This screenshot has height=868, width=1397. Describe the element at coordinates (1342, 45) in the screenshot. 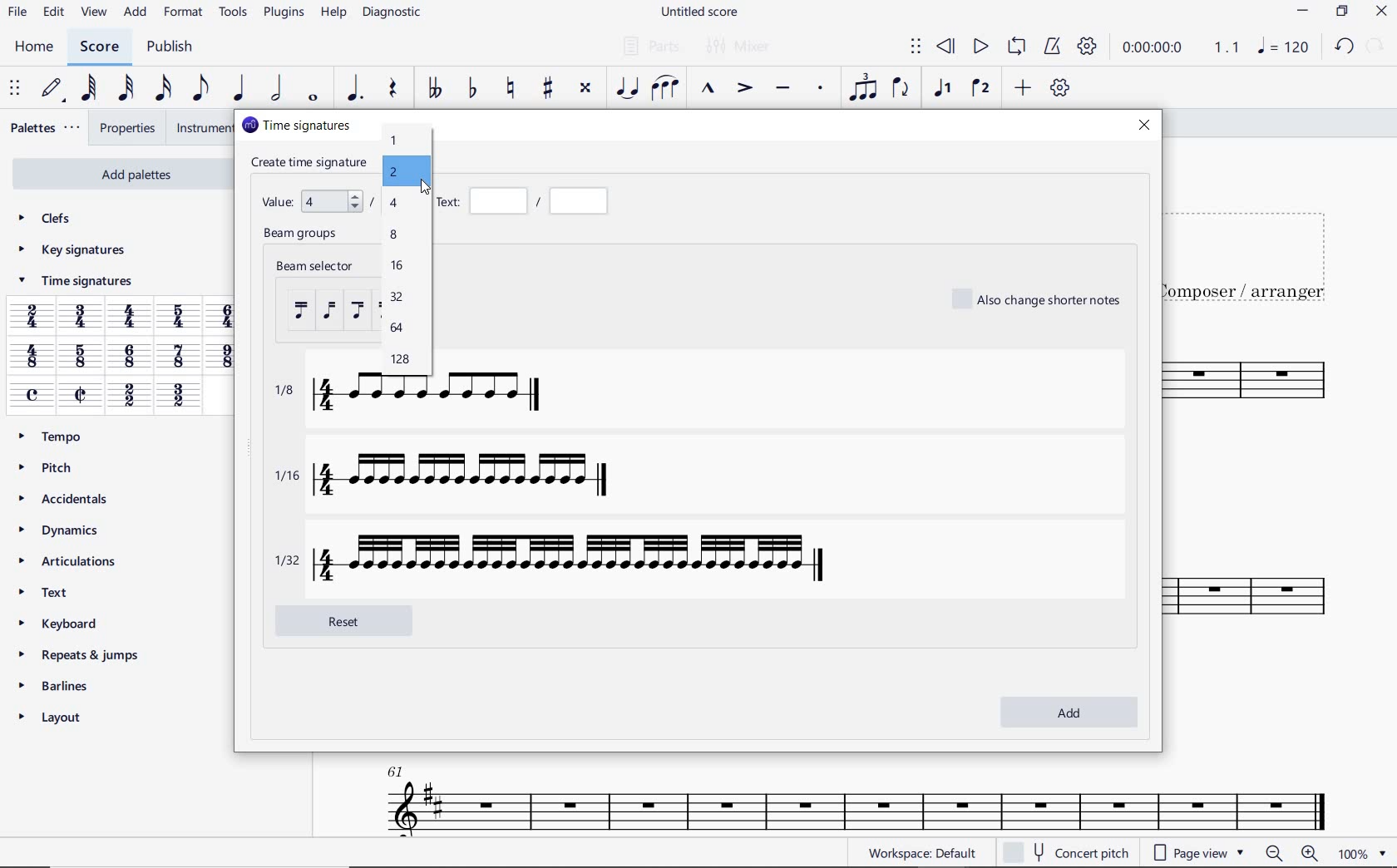

I see `UNDO` at that location.